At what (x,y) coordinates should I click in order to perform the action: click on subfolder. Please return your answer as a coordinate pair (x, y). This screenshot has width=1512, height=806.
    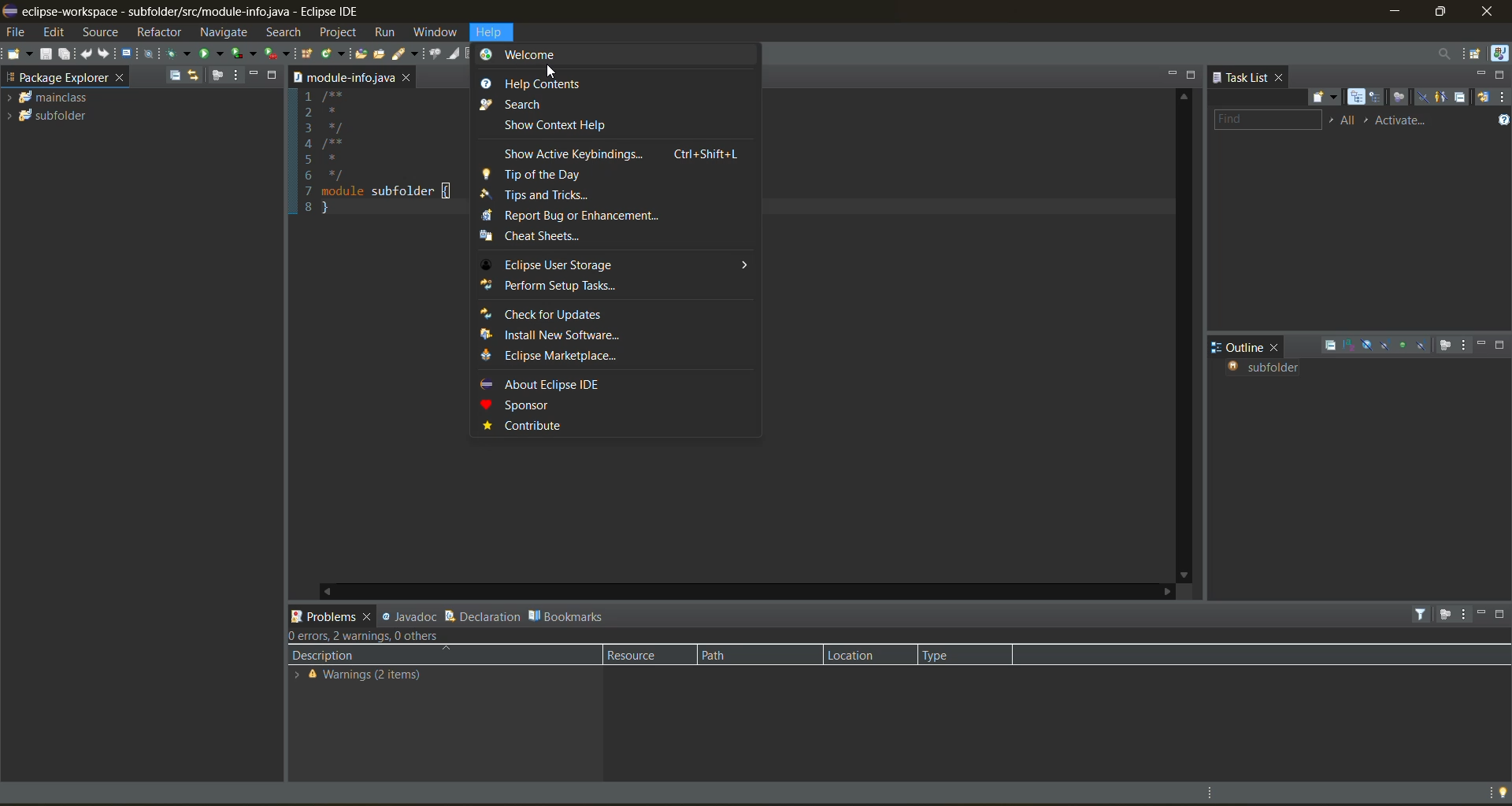
    Looking at the image, I should click on (1272, 368).